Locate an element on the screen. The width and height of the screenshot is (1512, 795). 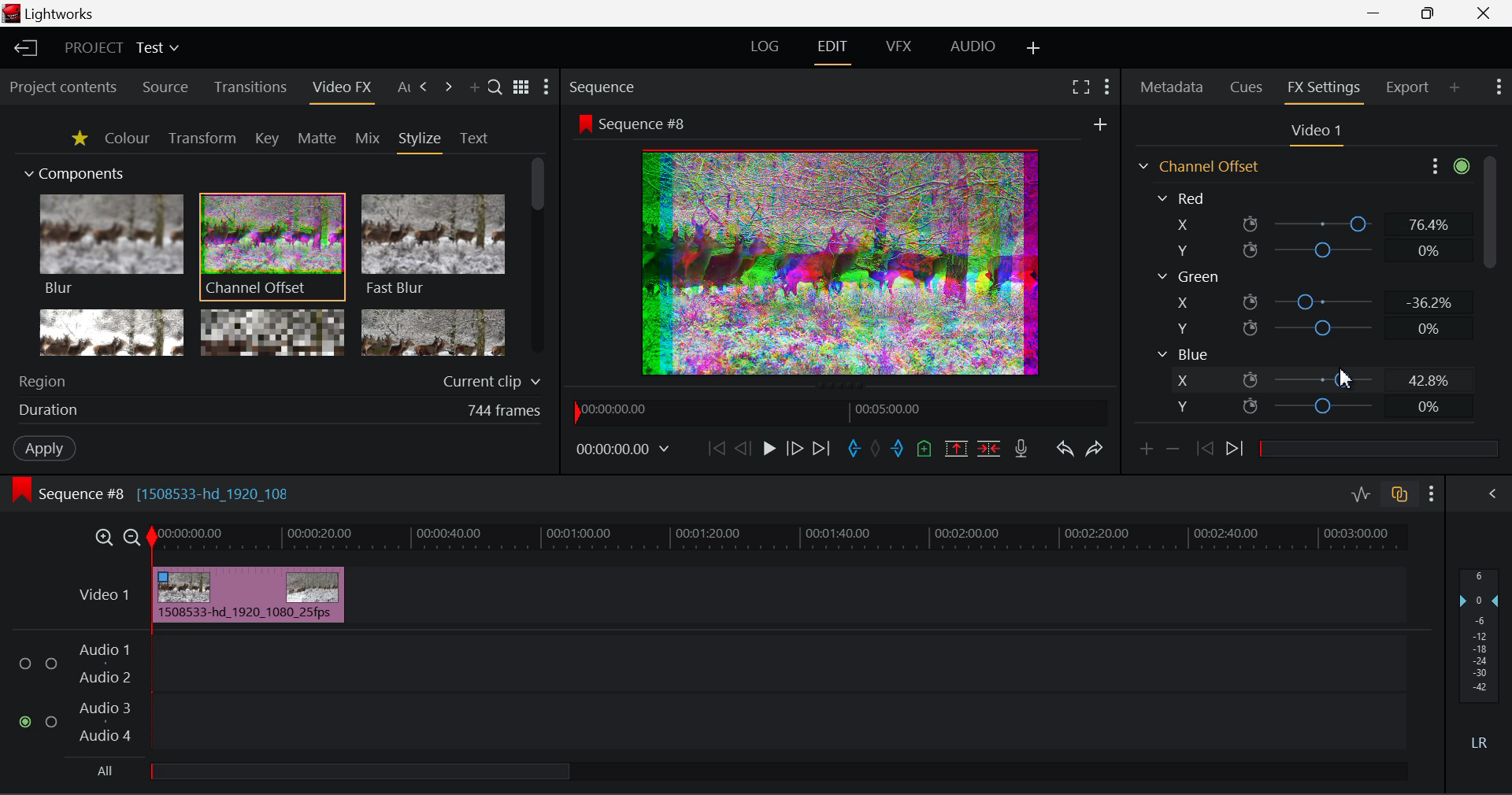
Project Timeline Track is located at coordinates (780, 540).